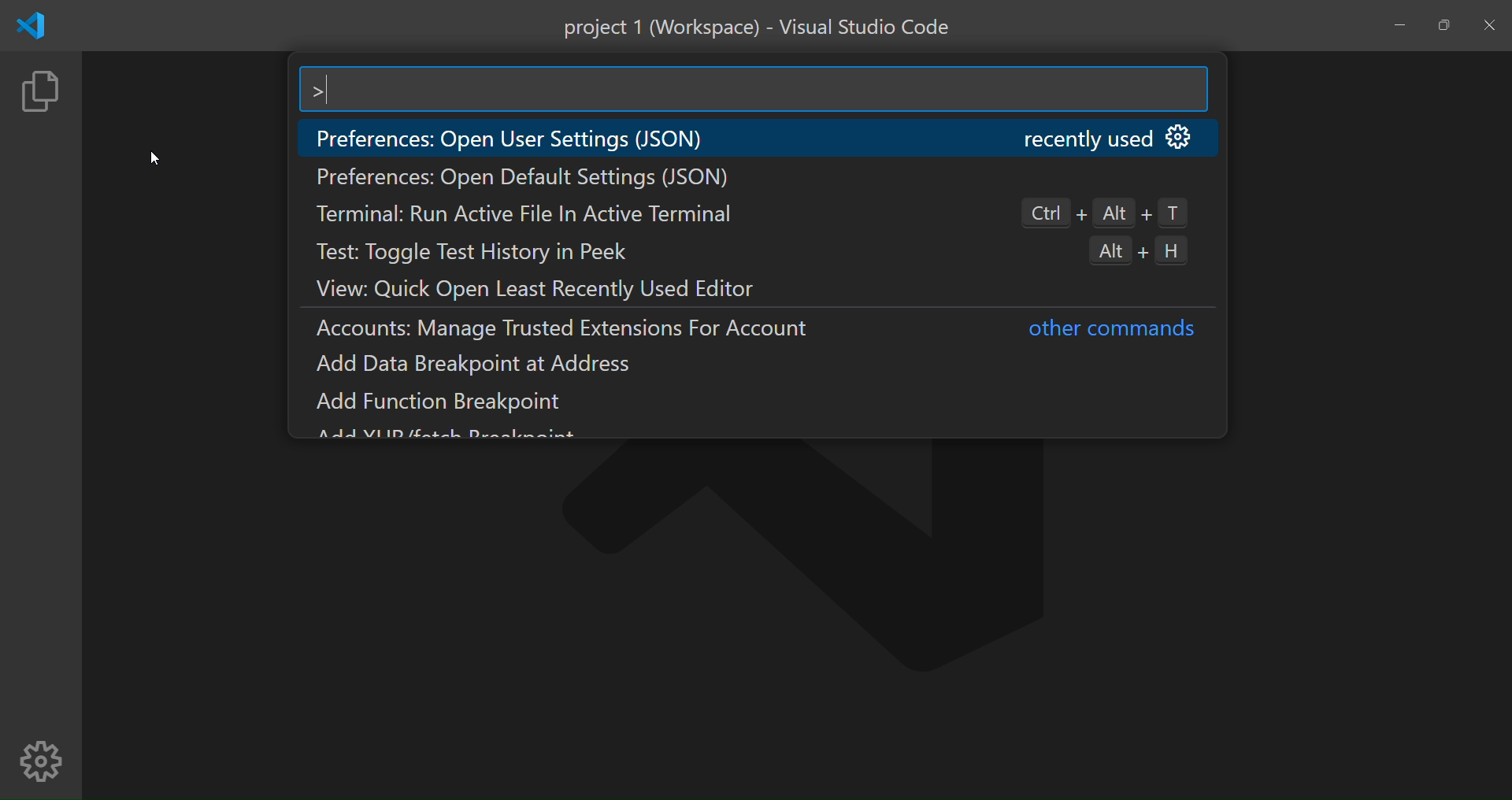 Image resolution: width=1512 pixels, height=800 pixels. I want to click on test toggle test, so click(491, 253).